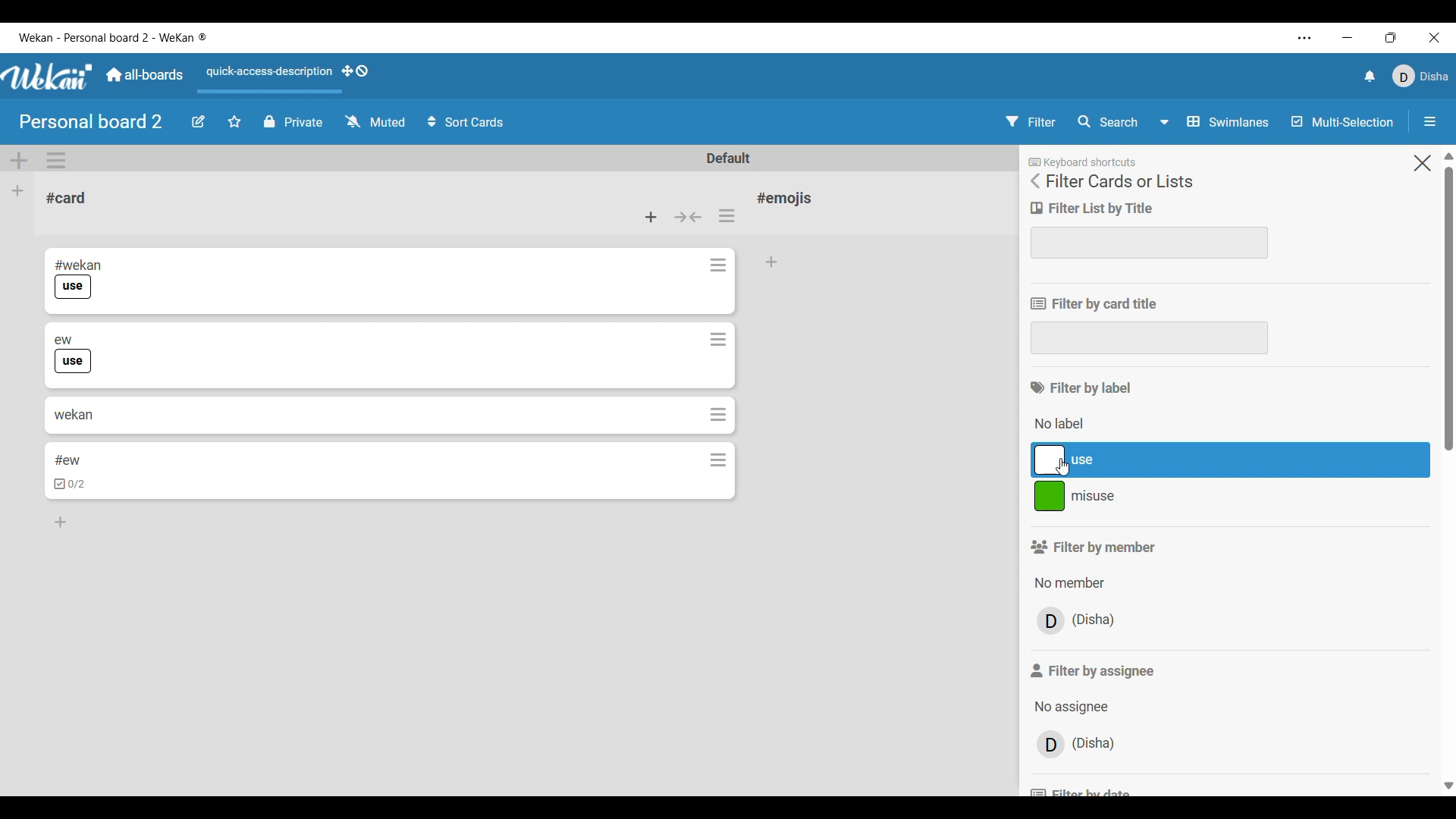 This screenshot has width=1456, height=819. I want to click on Card name, so click(788, 198).